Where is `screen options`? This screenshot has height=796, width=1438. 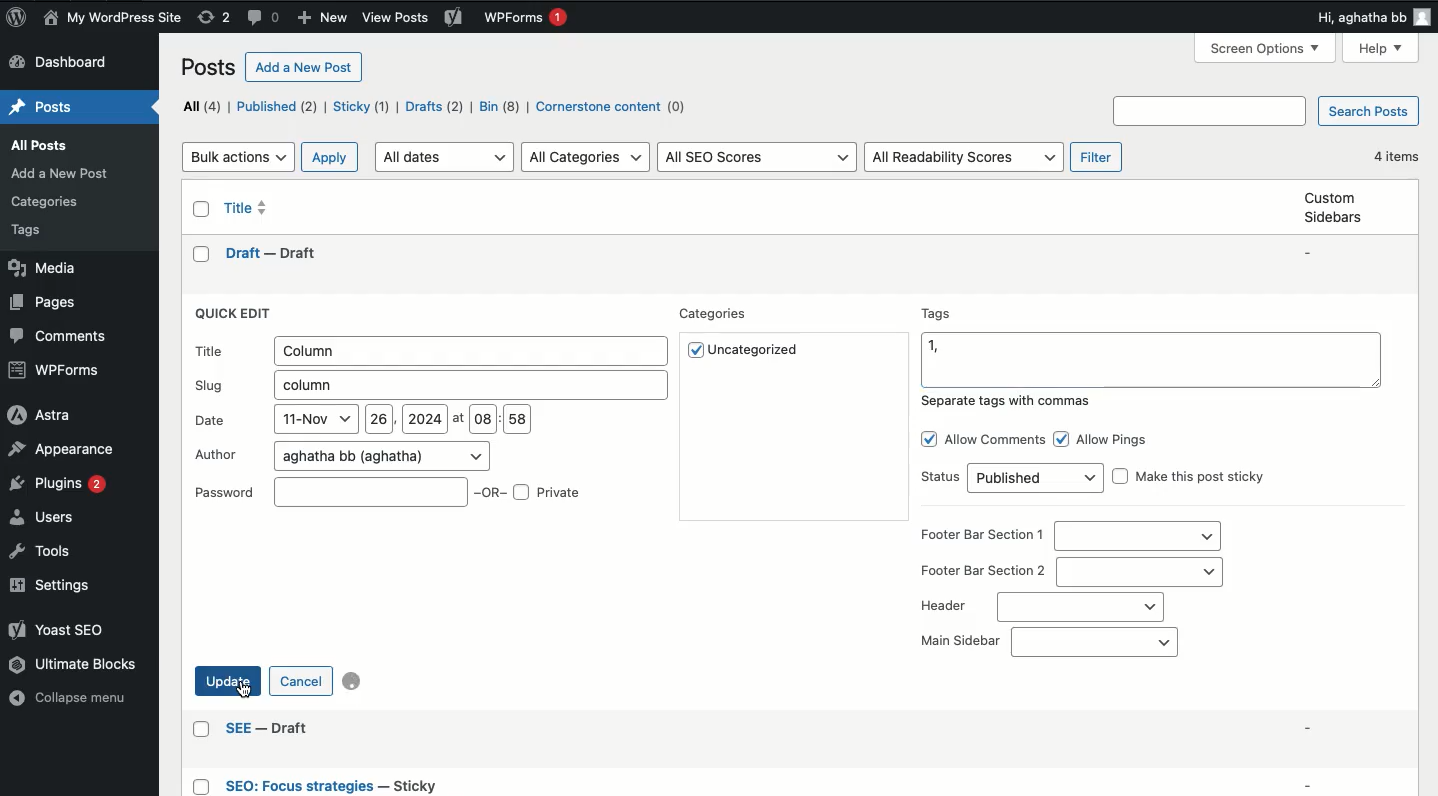
screen options is located at coordinates (1266, 48).